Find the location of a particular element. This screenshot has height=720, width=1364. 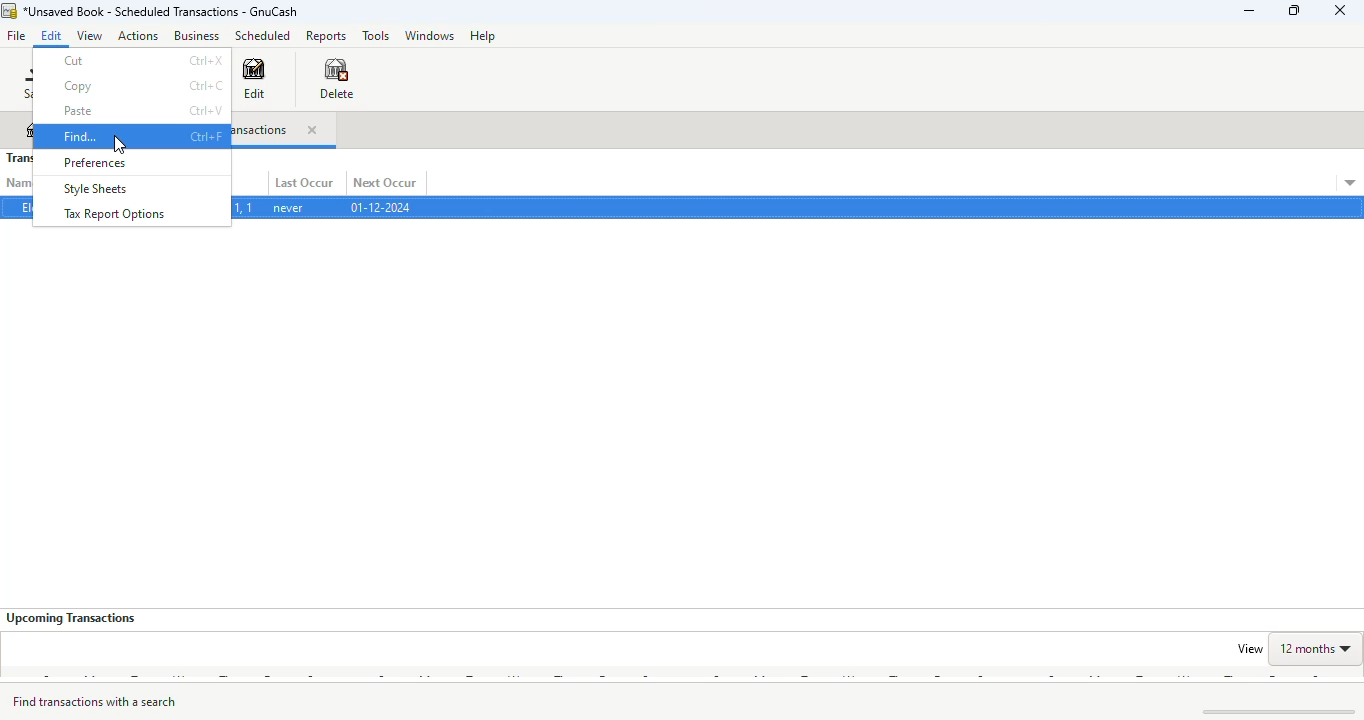

never is located at coordinates (288, 208).